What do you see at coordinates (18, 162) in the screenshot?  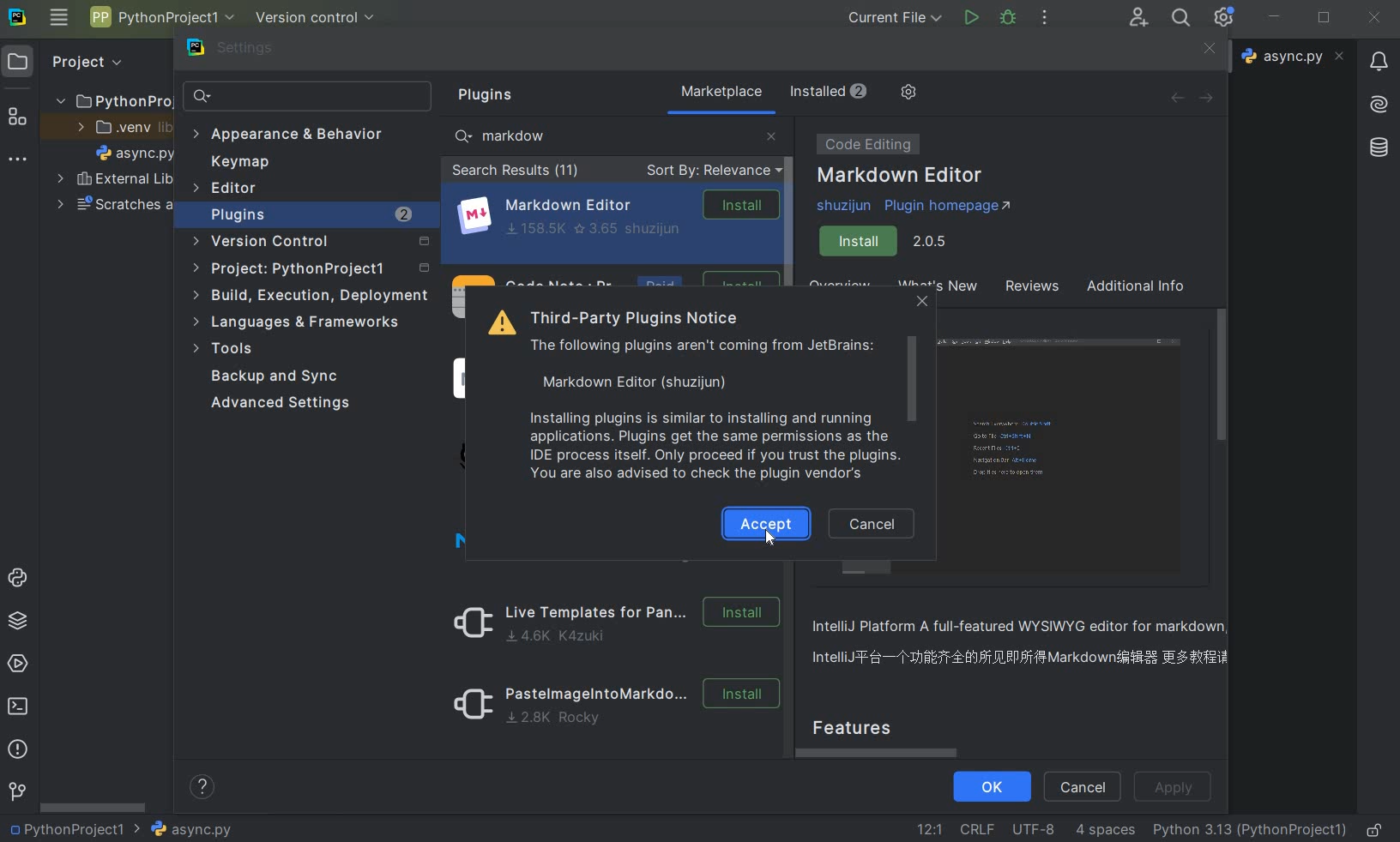 I see `more tool windows` at bounding box center [18, 162].